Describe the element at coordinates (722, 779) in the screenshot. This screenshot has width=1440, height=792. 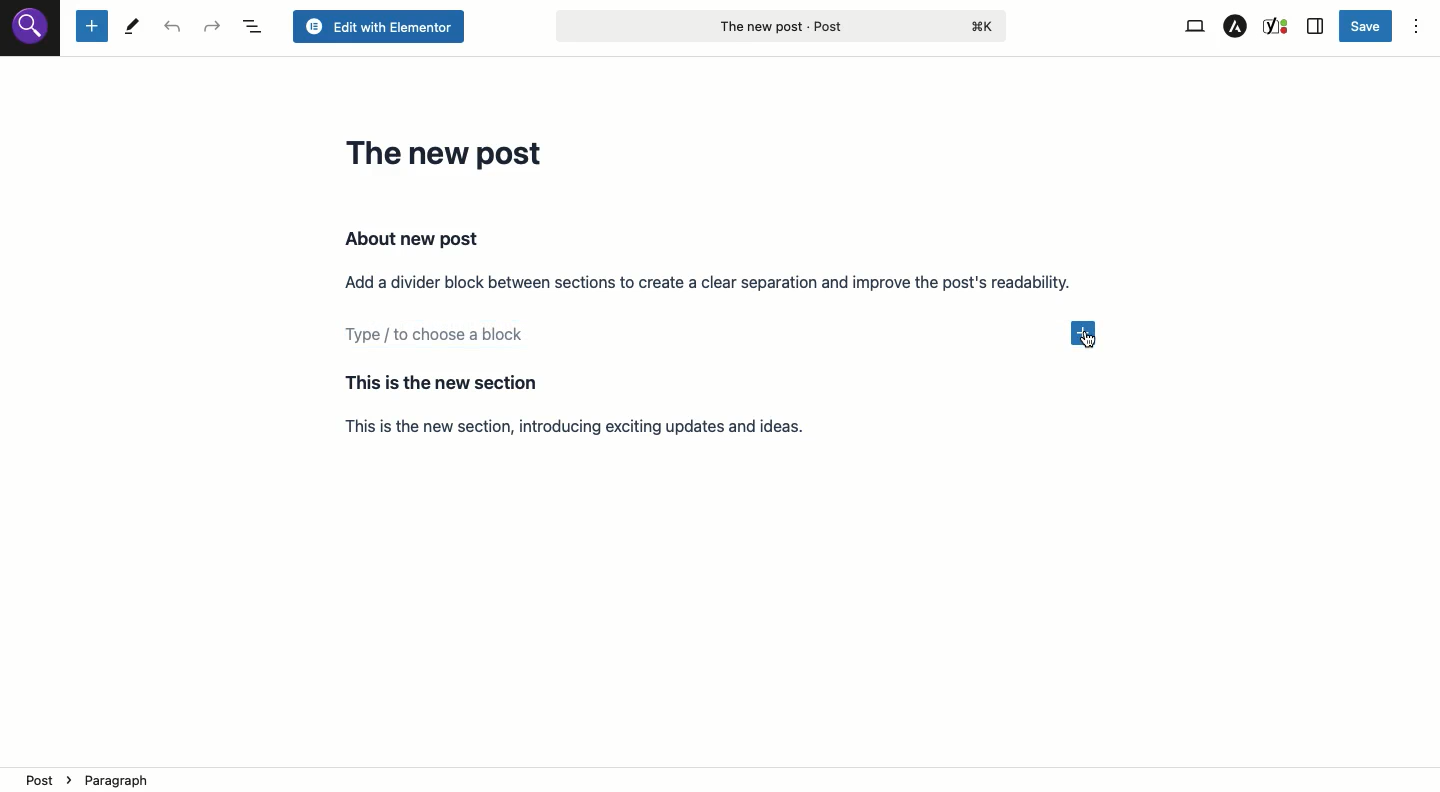
I see `Location` at that location.